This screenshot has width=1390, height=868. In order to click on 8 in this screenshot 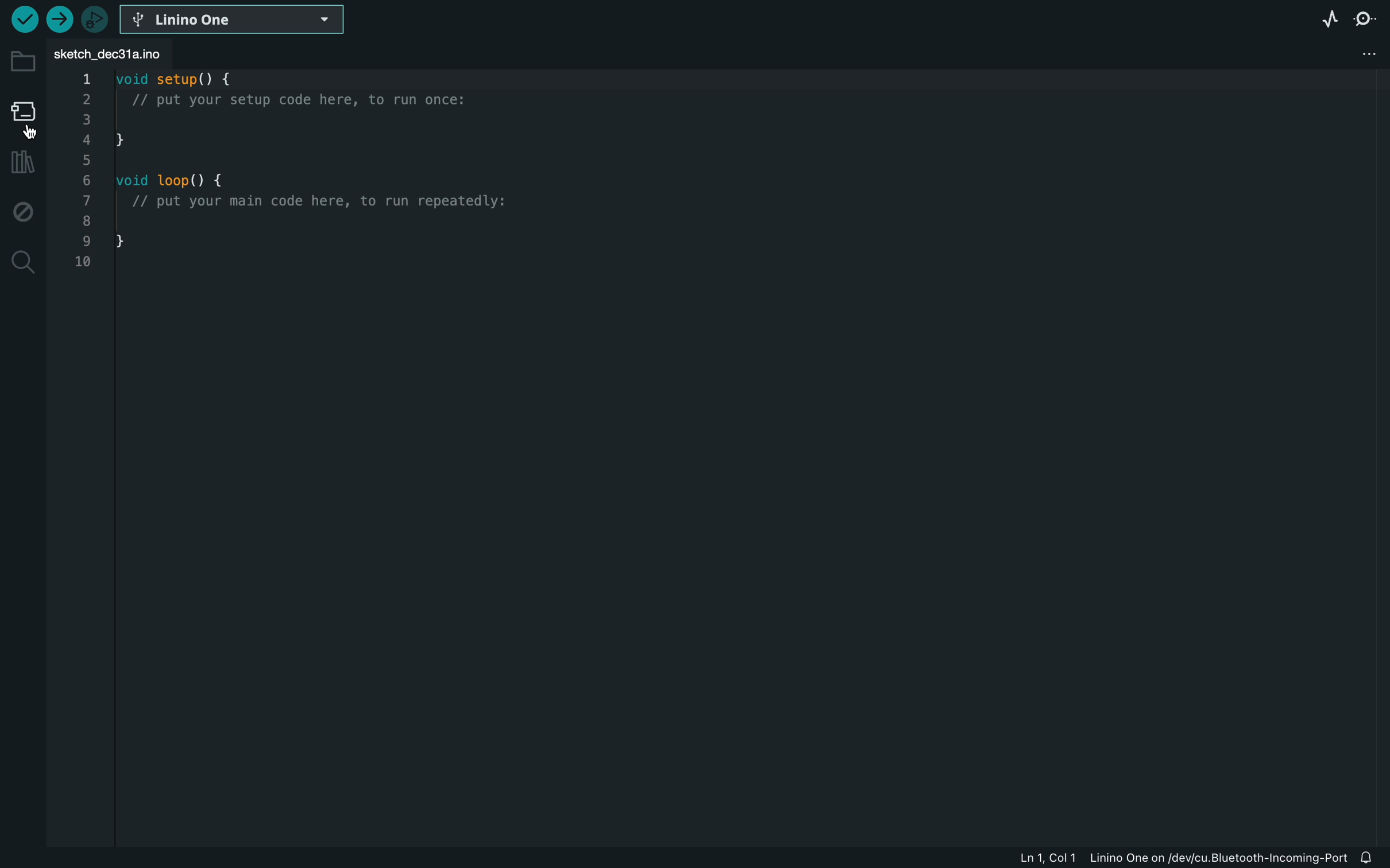, I will do `click(87, 219)`.